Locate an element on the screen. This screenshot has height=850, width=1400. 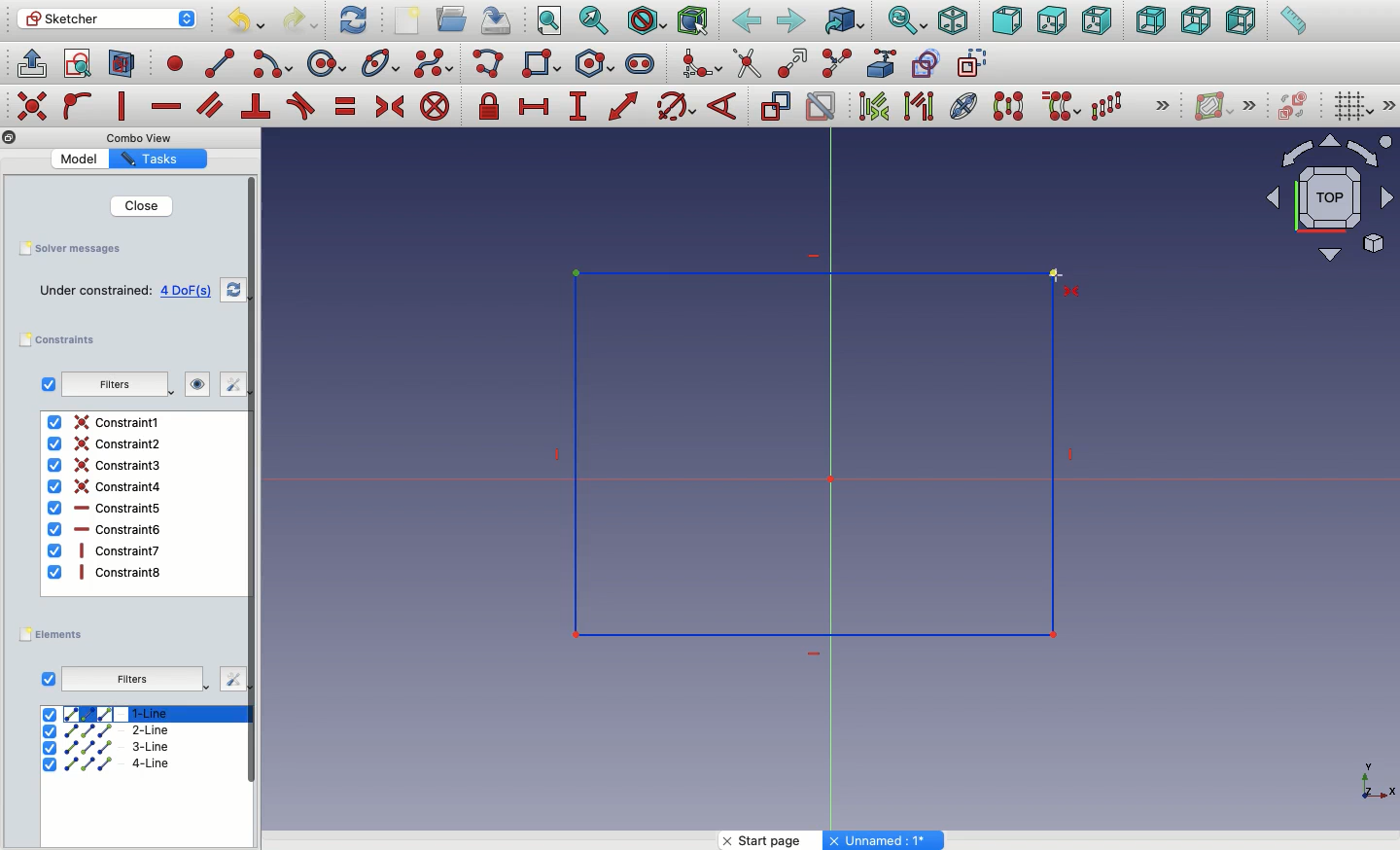
filters is located at coordinates (112, 386).